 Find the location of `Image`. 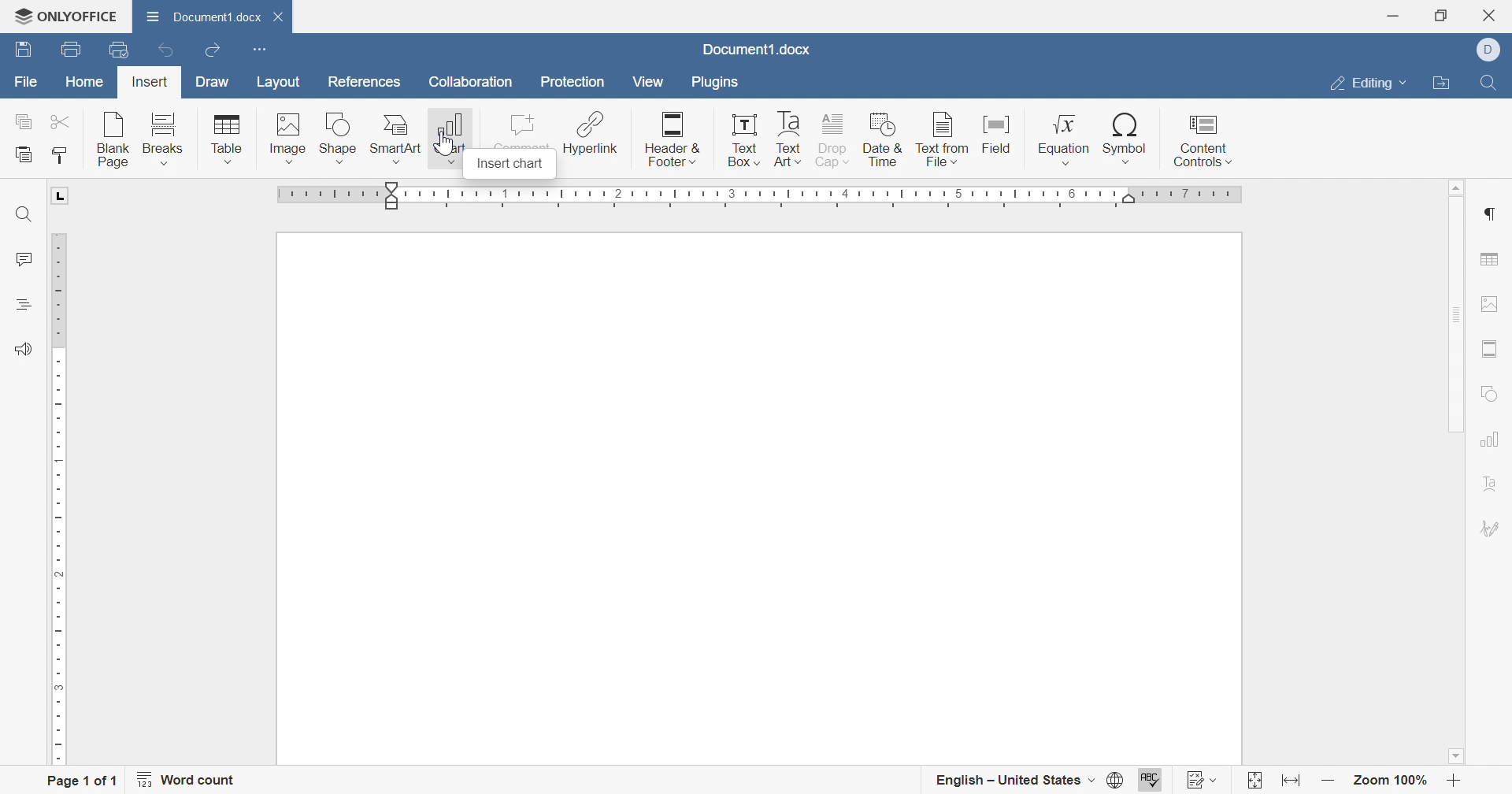

Image is located at coordinates (288, 135).